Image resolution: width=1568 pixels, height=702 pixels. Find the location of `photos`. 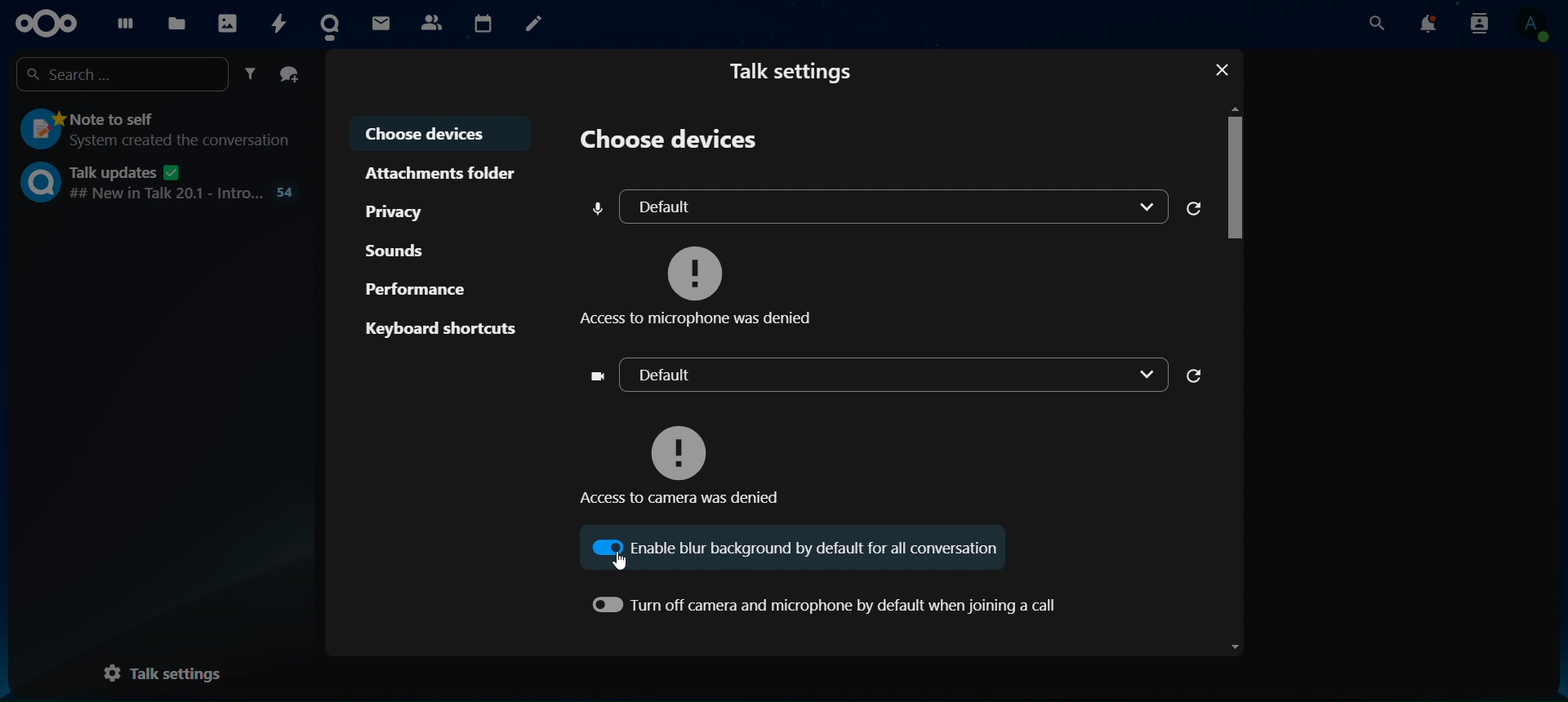

photos is located at coordinates (230, 20).